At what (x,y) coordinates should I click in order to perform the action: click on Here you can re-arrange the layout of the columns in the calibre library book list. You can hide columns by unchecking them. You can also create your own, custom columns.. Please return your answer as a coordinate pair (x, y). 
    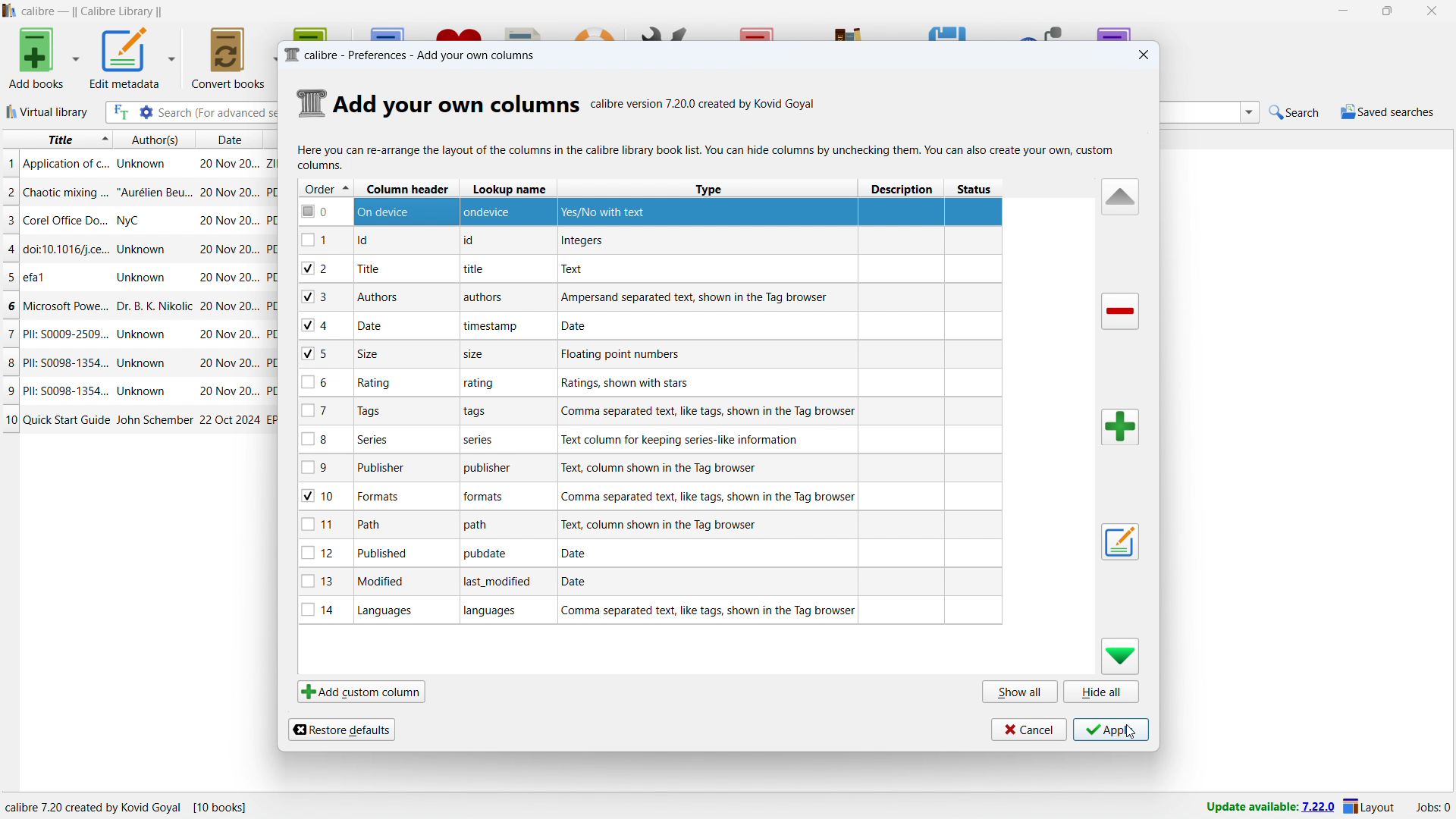
    Looking at the image, I should click on (708, 158).